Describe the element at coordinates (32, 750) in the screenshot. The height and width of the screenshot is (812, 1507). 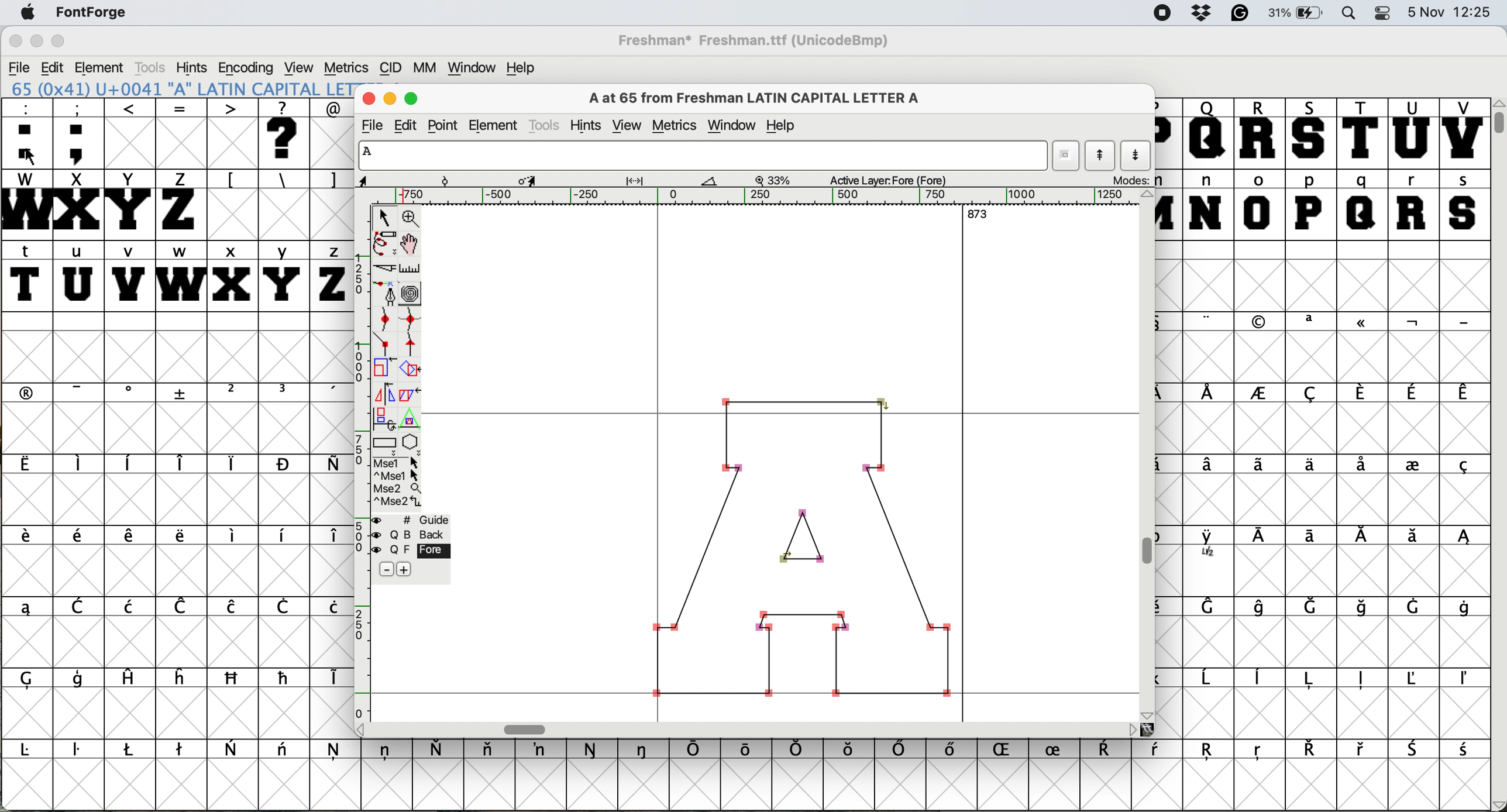
I see `symbol` at that location.